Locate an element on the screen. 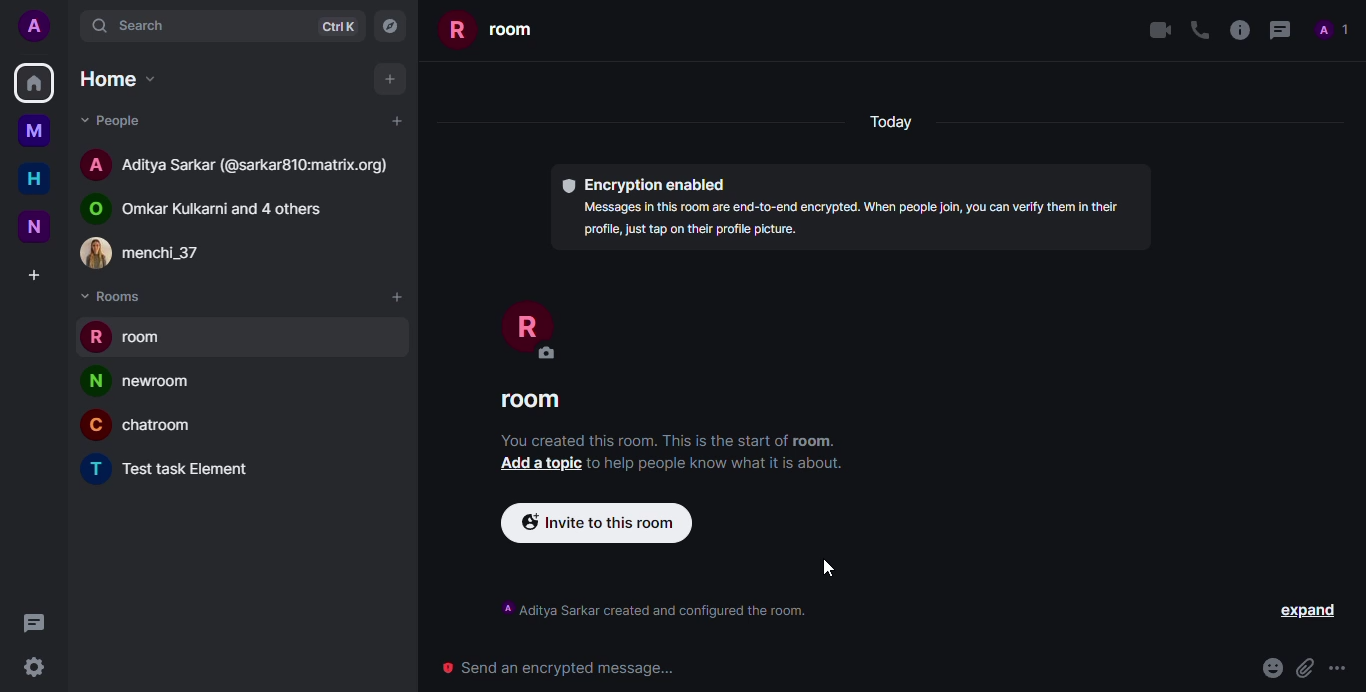 The height and width of the screenshot is (692, 1366). rooms dropdown is located at coordinates (121, 299).